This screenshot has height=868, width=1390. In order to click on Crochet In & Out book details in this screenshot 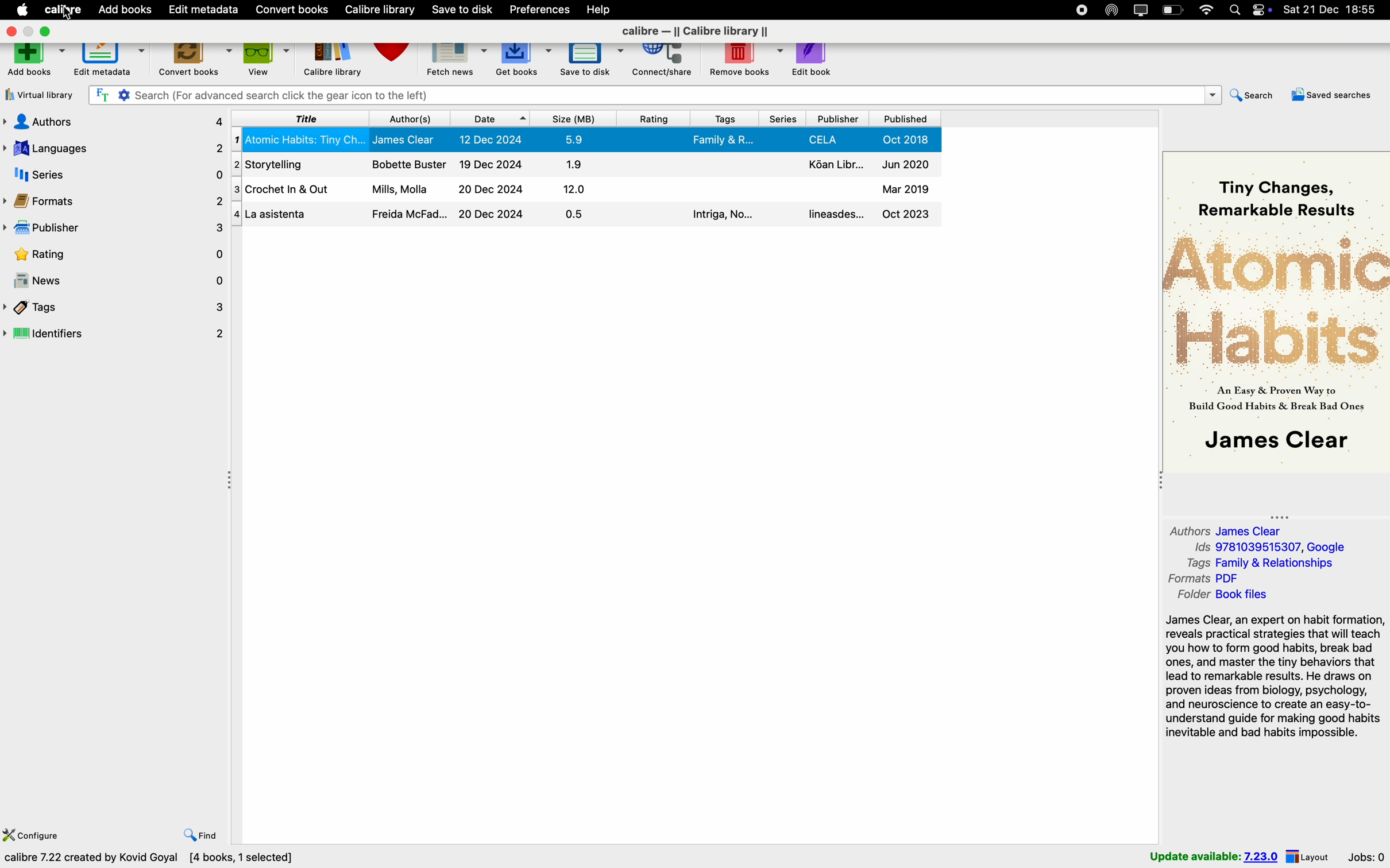, I will do `click(586, 187)`.